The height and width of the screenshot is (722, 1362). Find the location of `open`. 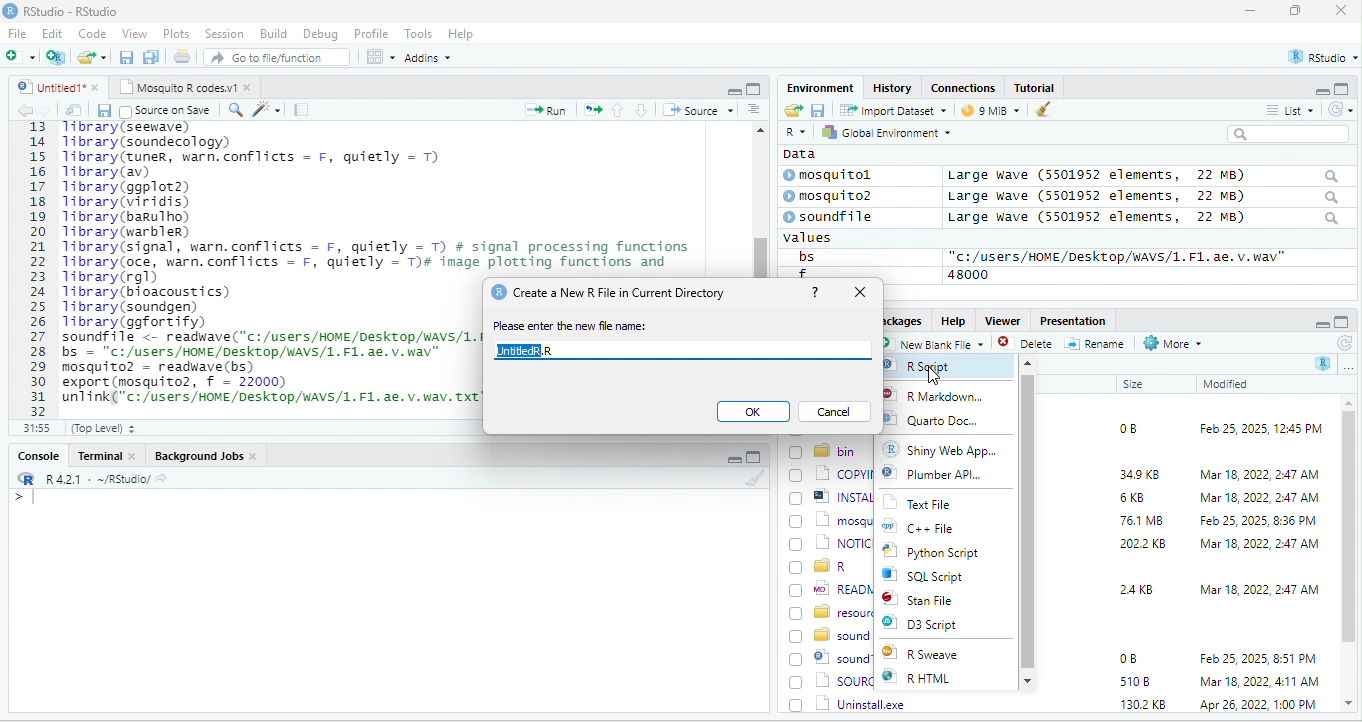

open is located at coordinates (792, 111).